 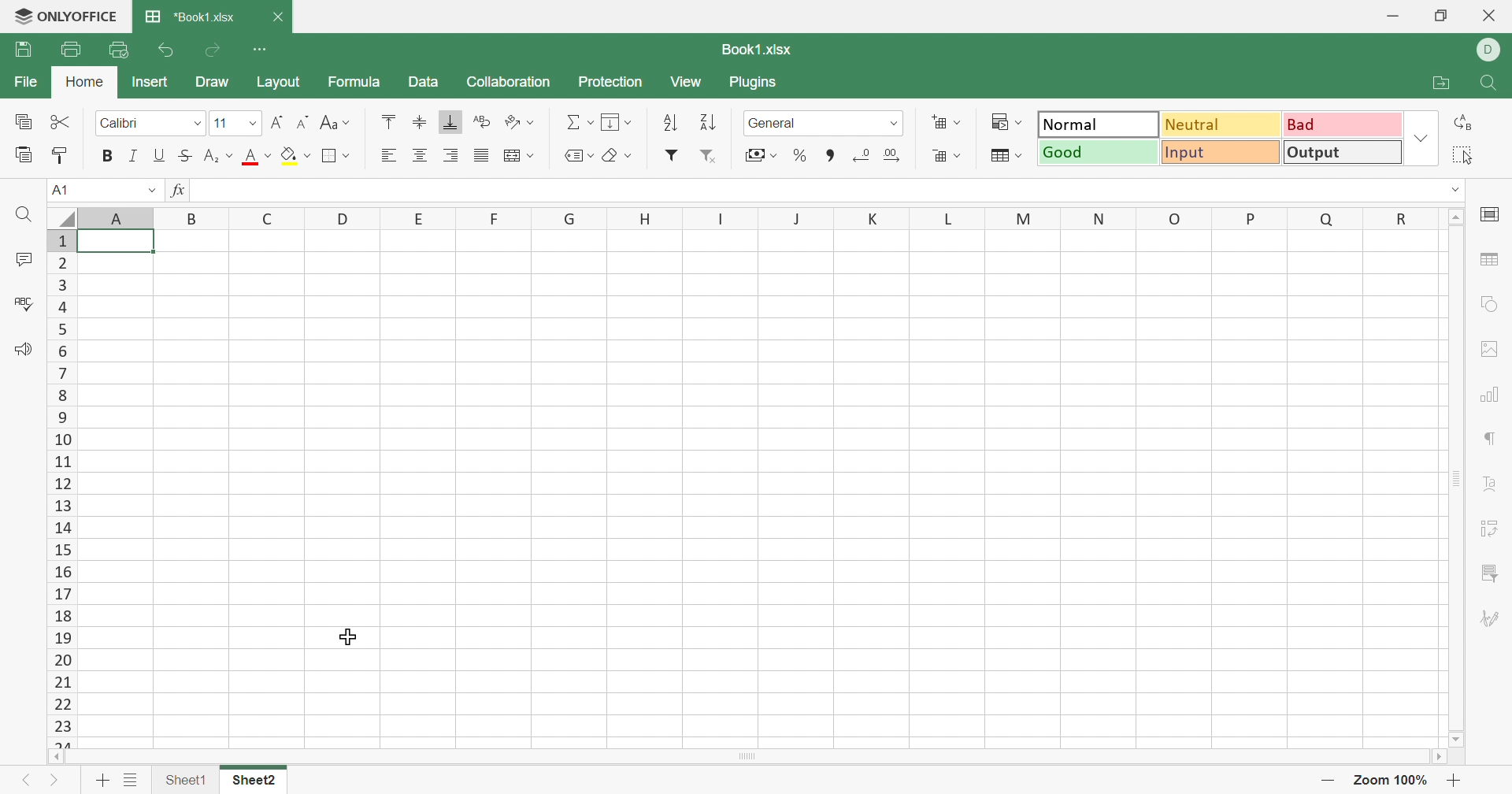 What do you see at coordinates (24, 48) in the screenshot?
I see `Save` at bounding box center [24, 48].